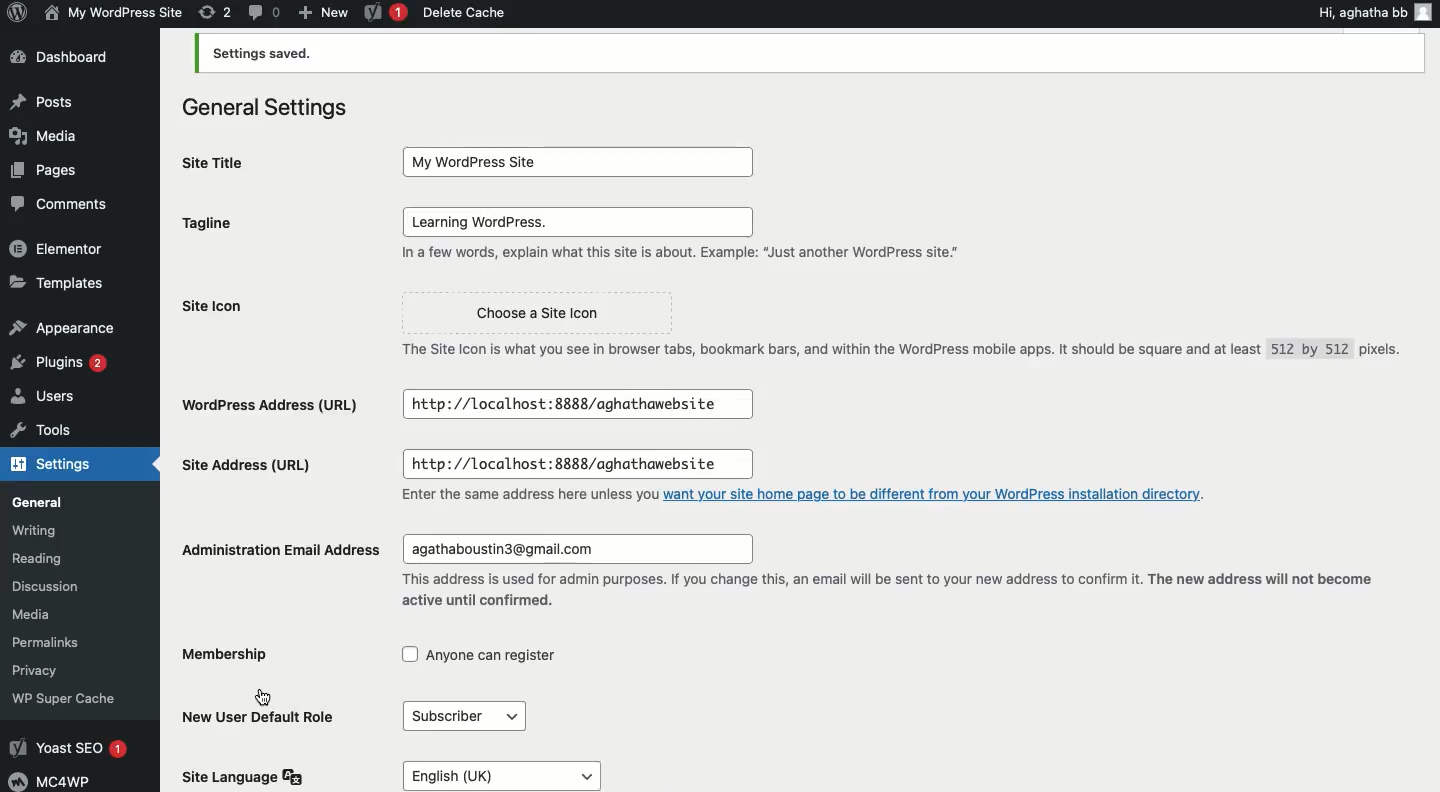  I want to click on cursor, so click(270, 694).